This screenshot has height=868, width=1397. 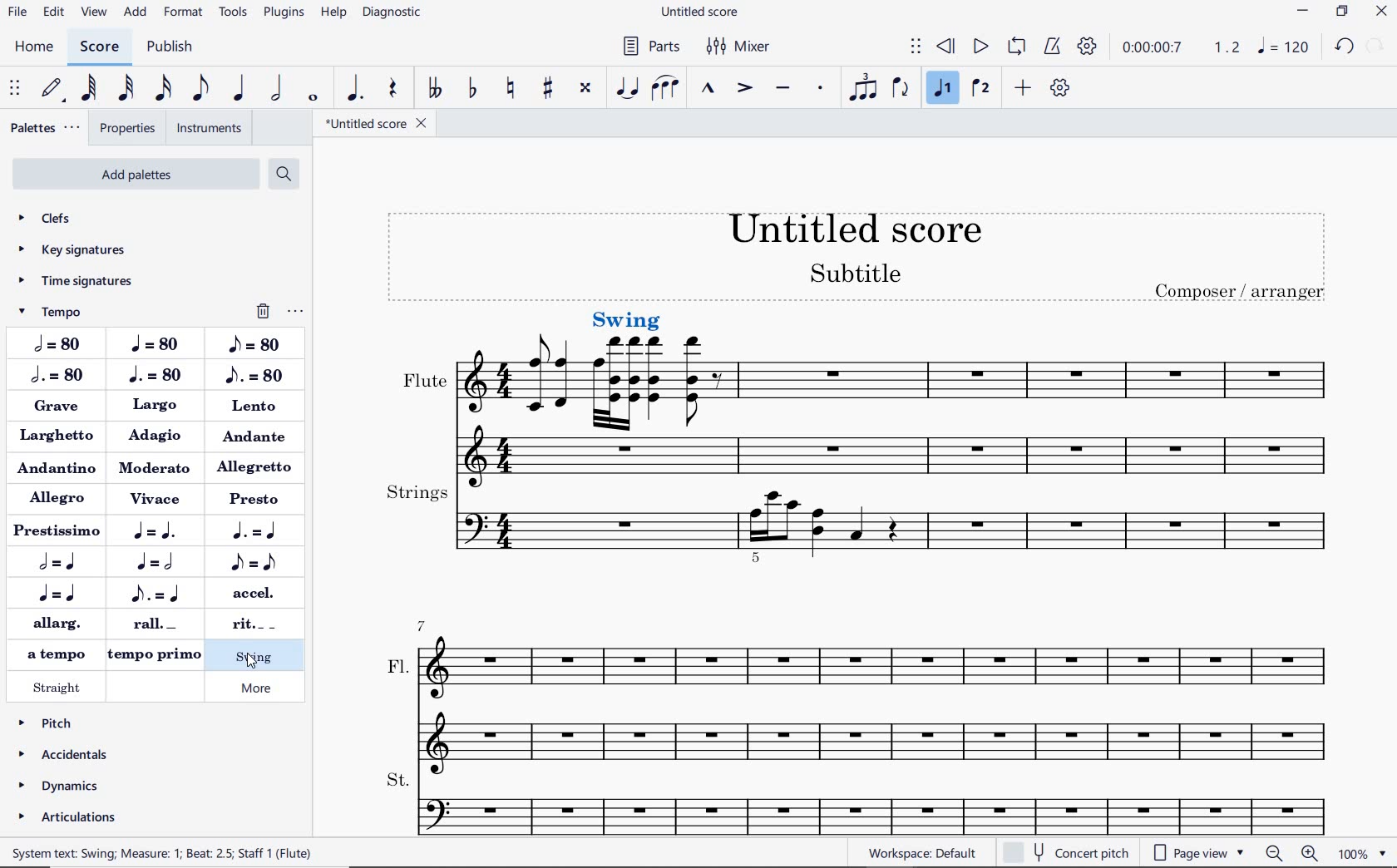 What do you see at coordinates (255, 406) in the screenshot?
I see `LENTO` at bounding box center [255, 406].